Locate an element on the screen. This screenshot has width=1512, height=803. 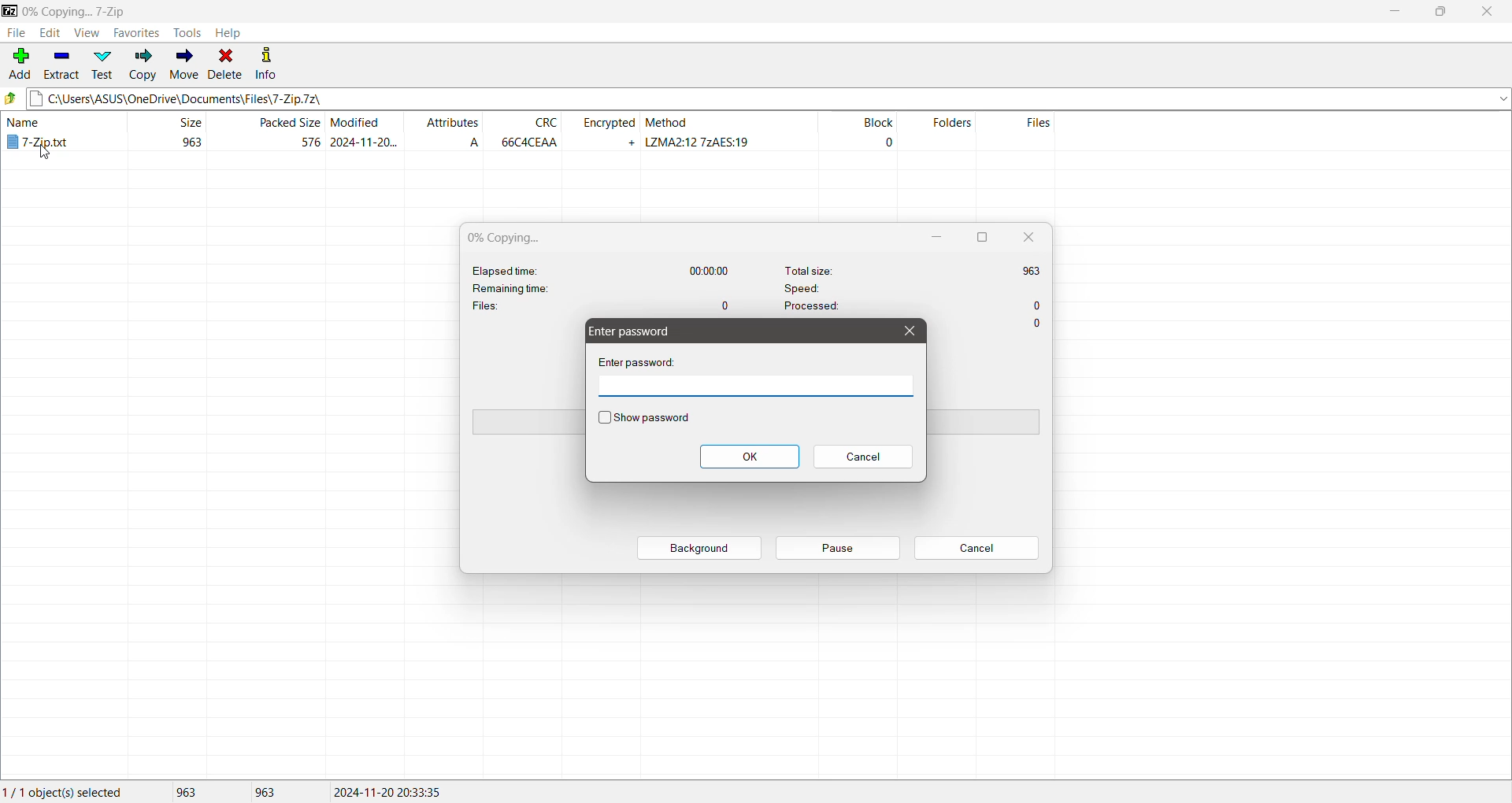
File Size is located at coordinates (167, 132).